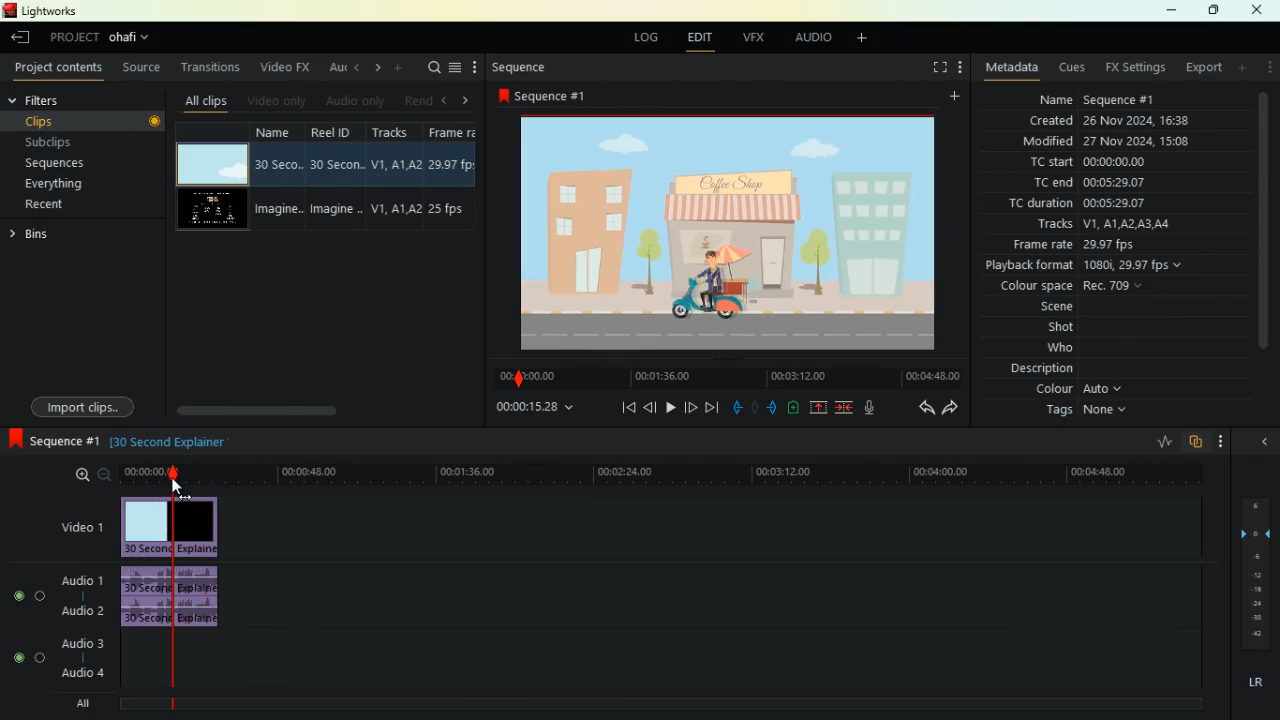 This screenshot has width=1280, height=720. I want to click on up, so click(818, 408).